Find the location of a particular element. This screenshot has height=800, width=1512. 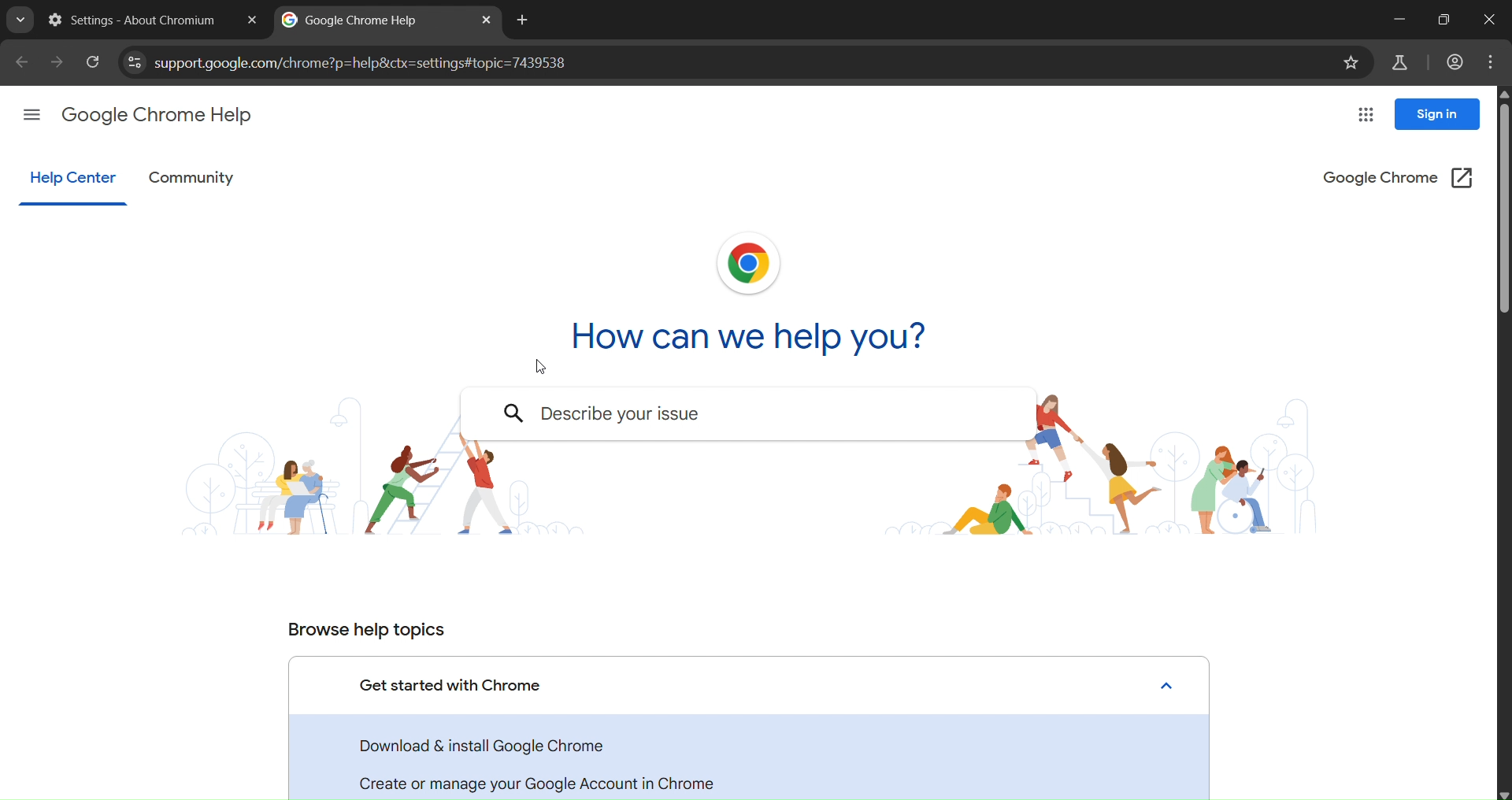

google chrome help is located at coordinates (165, 115).